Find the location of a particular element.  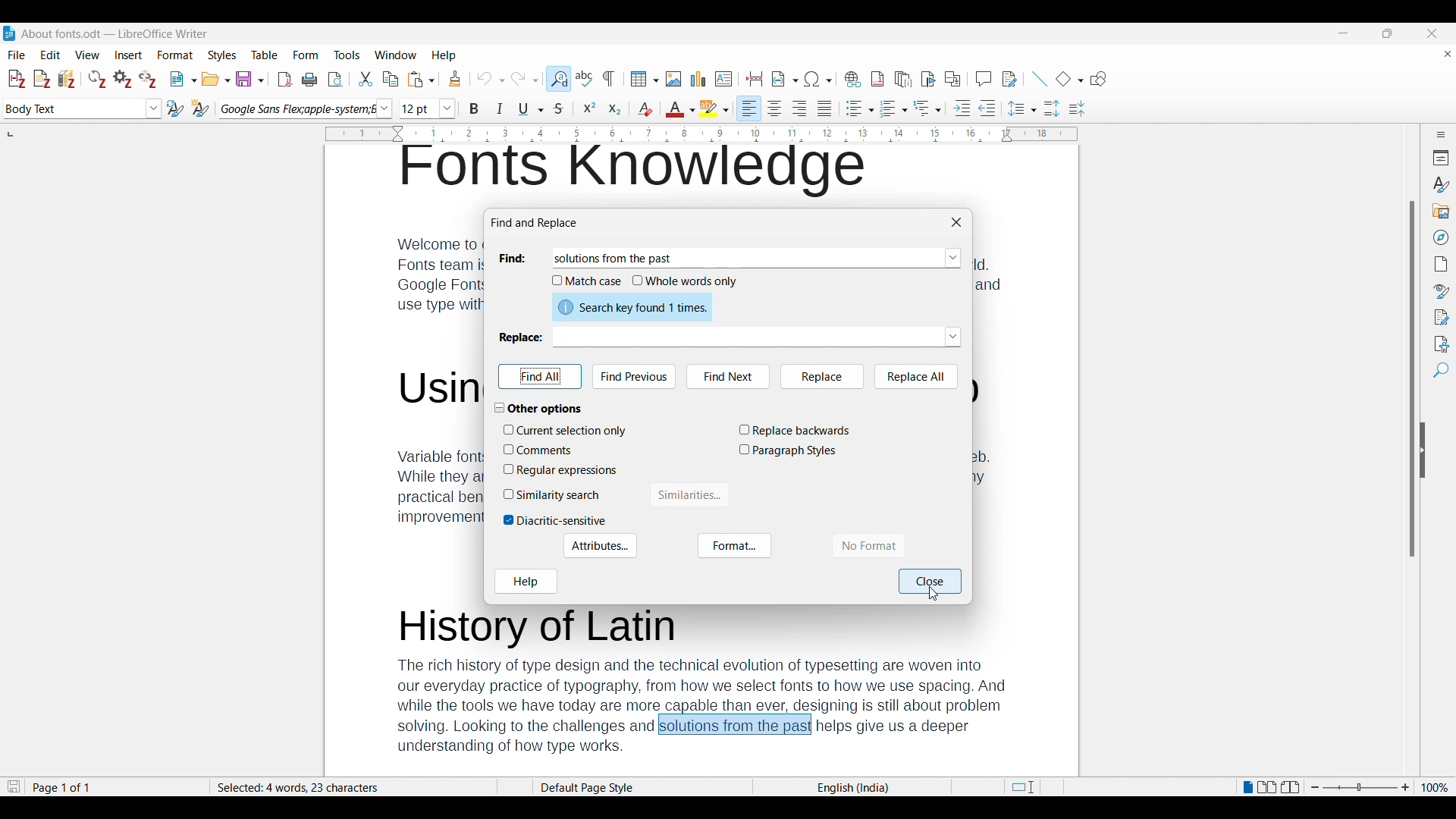

Insert cross-reference is located at coordinates (952, 78).